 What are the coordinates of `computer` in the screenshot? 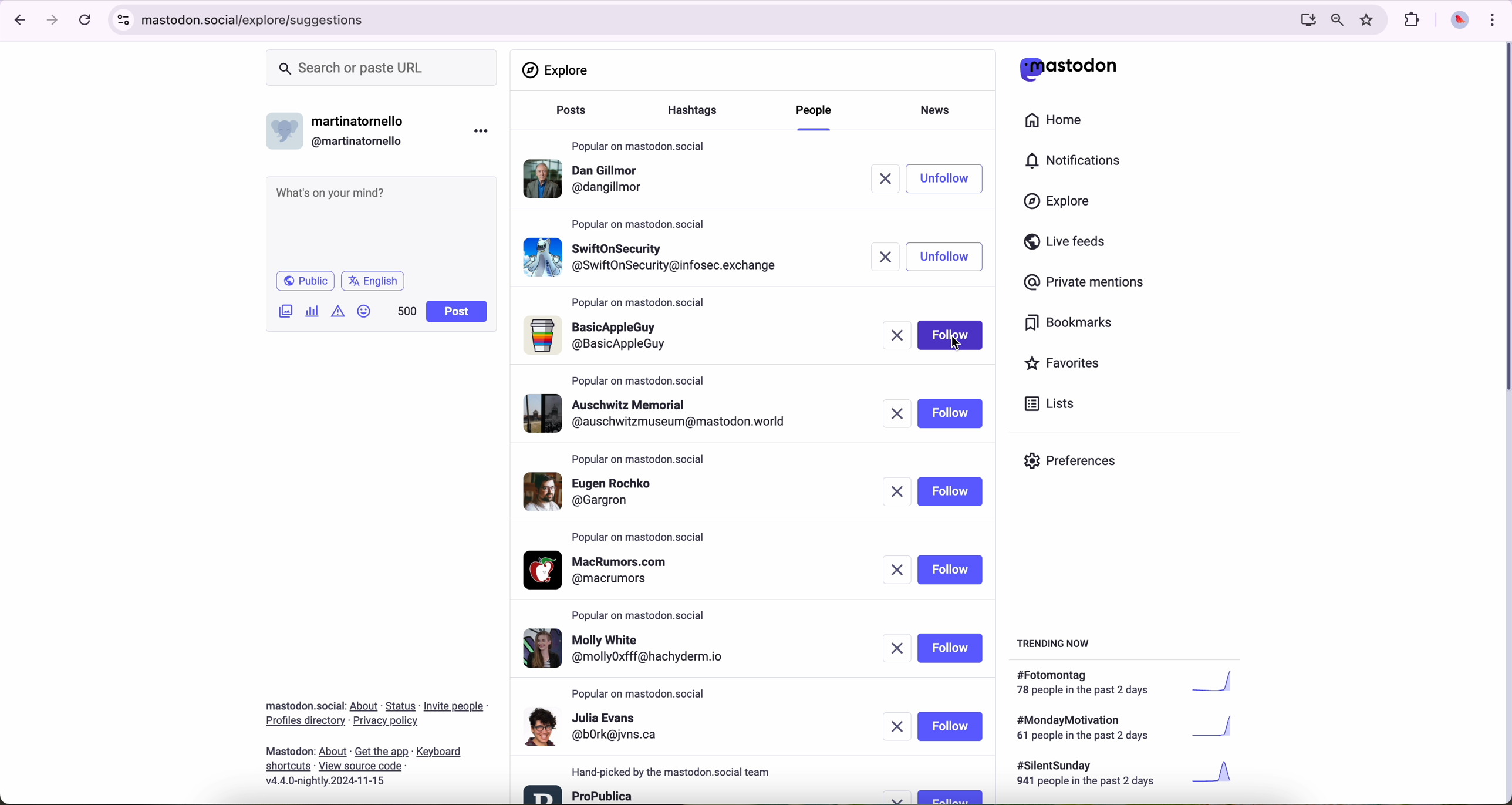 It's located at (1303, 19).